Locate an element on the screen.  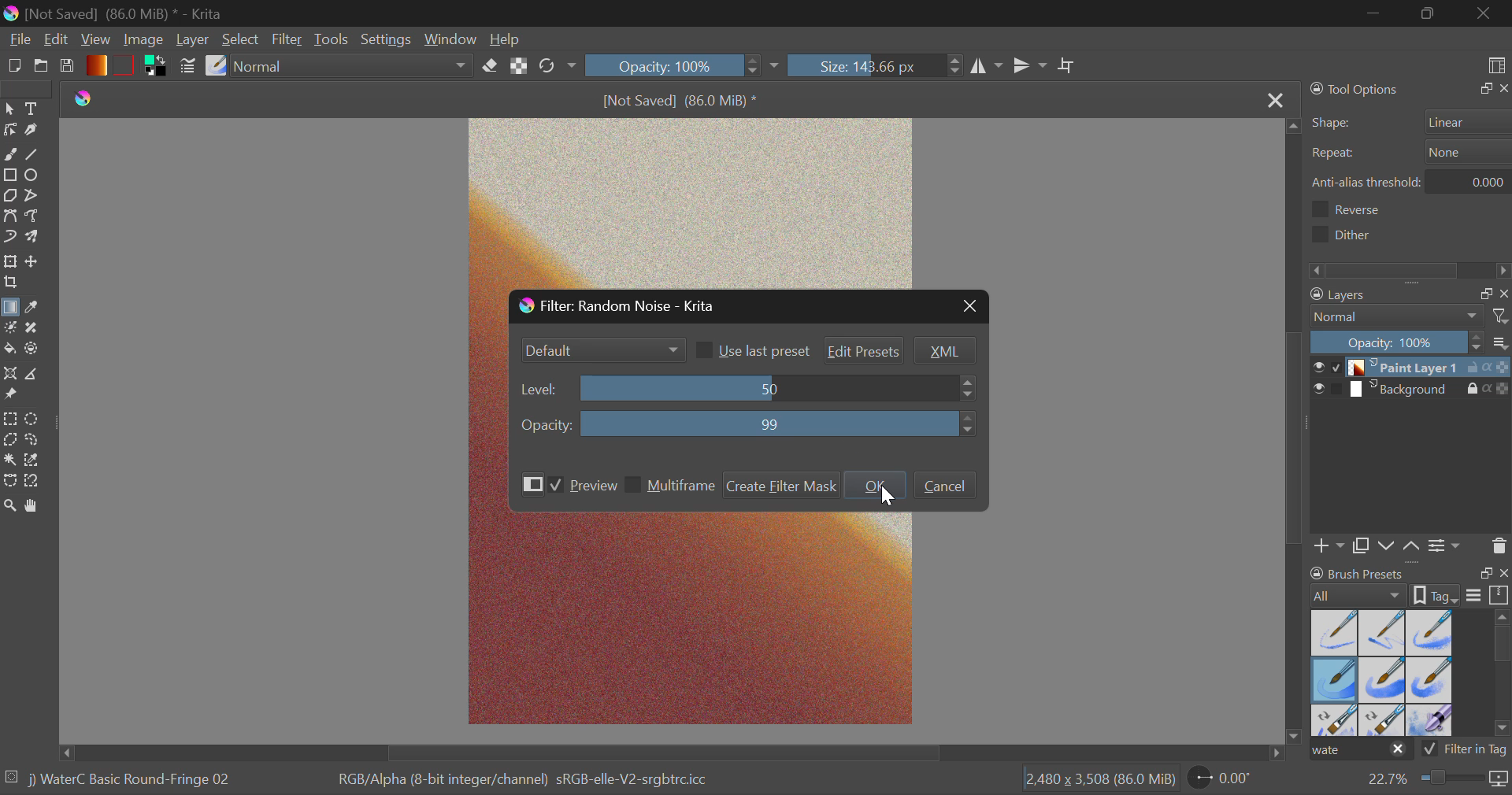
Level is located at coordinates (748, 390).